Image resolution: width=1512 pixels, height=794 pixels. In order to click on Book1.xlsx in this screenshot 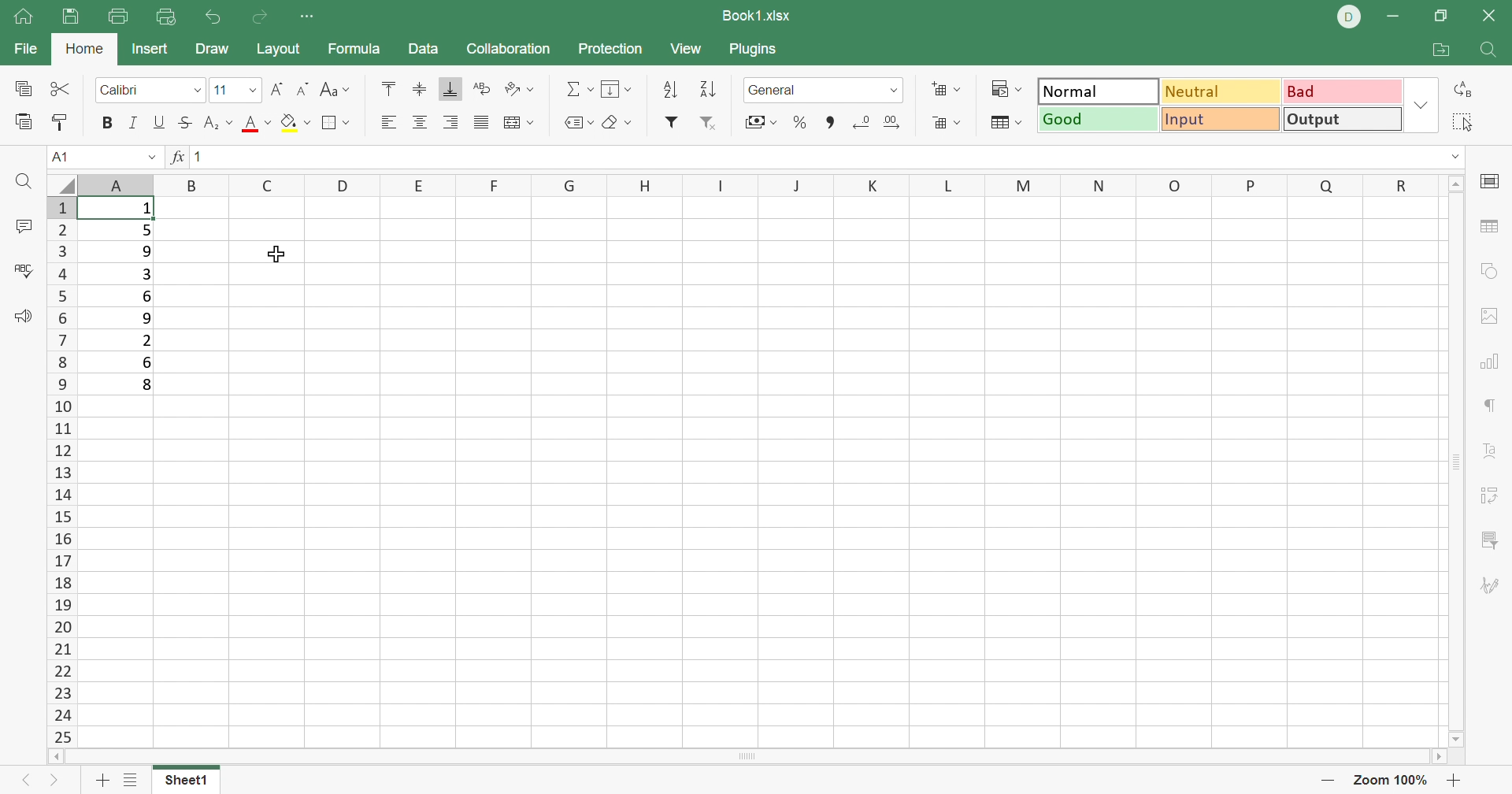, I will do `click(757, 13)`.